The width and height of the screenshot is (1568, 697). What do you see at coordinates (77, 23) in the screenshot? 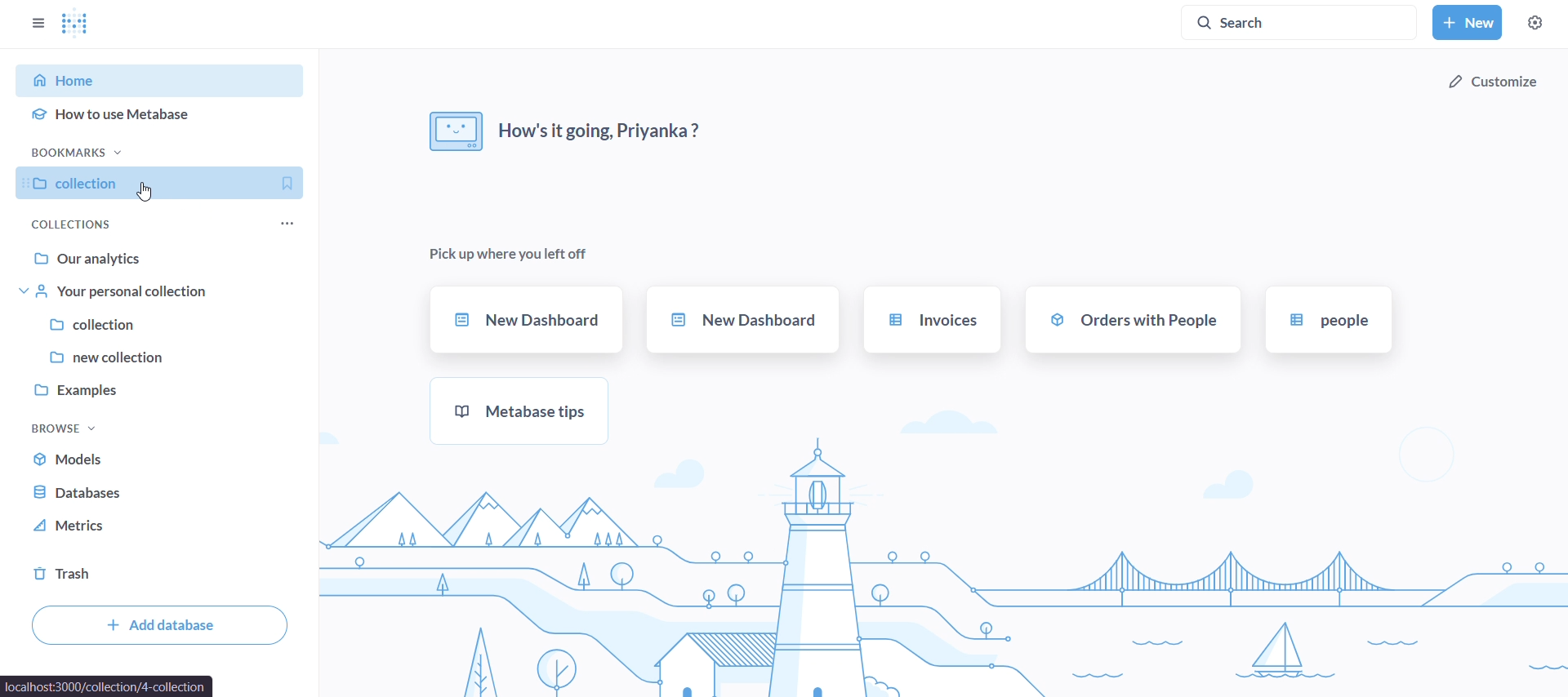
I see `Metabase logo` at bounding box center [77, 23].